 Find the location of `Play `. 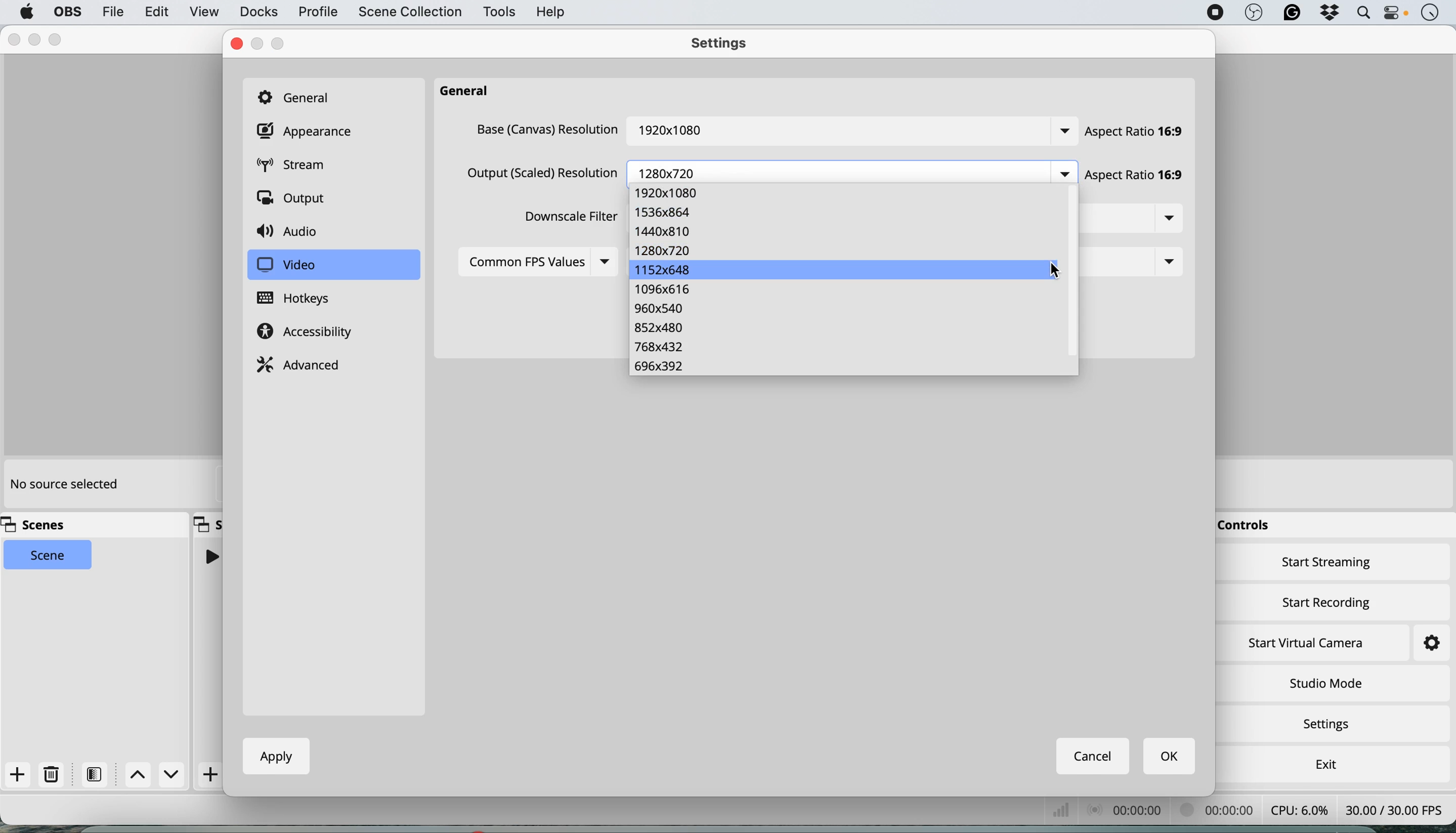

Play  is located at coordinates (210, 556).